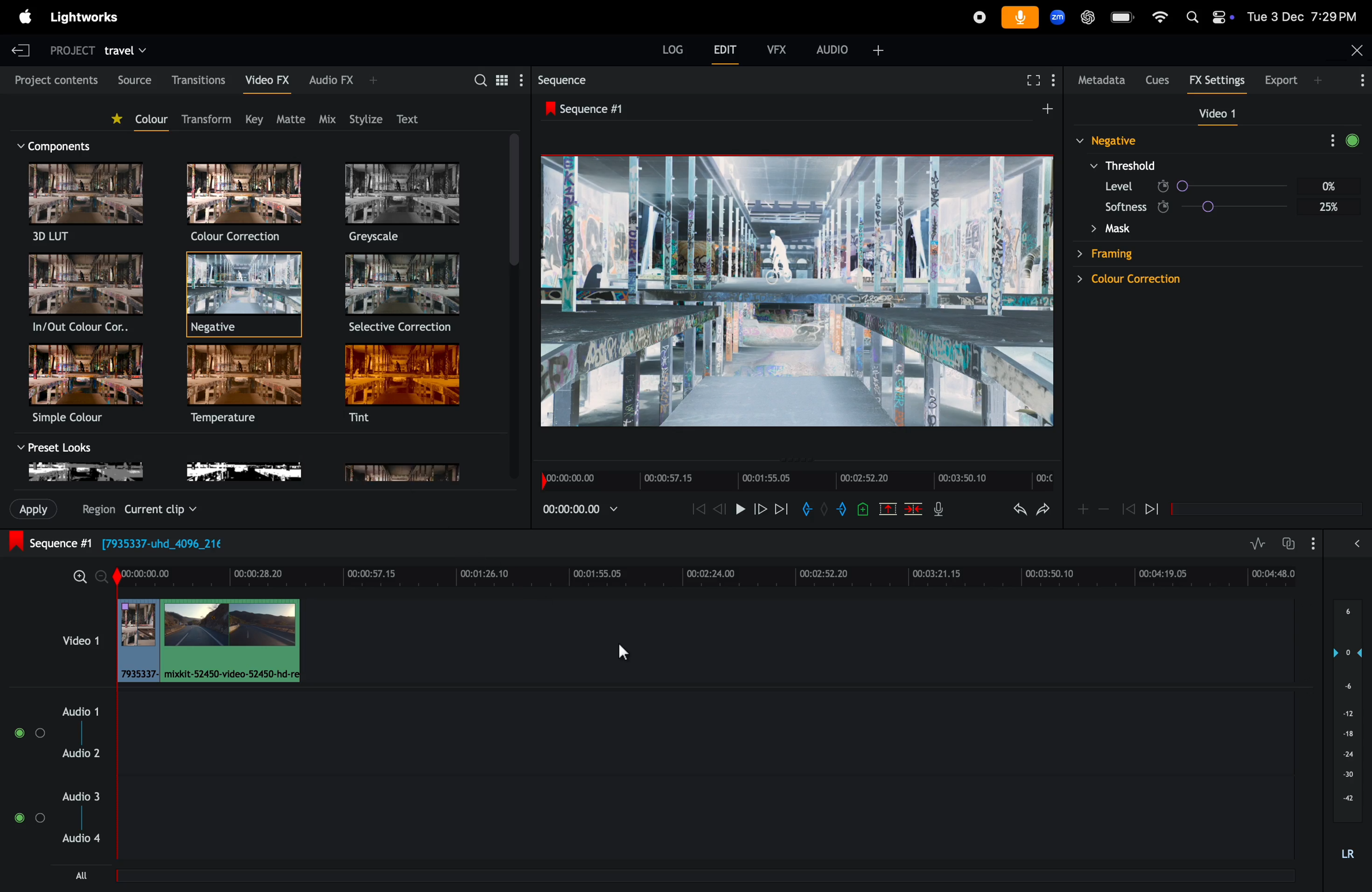 The width and height of the screenshot is (1372, 892). I want to click on toggle audio levels, so click(1258, 541).